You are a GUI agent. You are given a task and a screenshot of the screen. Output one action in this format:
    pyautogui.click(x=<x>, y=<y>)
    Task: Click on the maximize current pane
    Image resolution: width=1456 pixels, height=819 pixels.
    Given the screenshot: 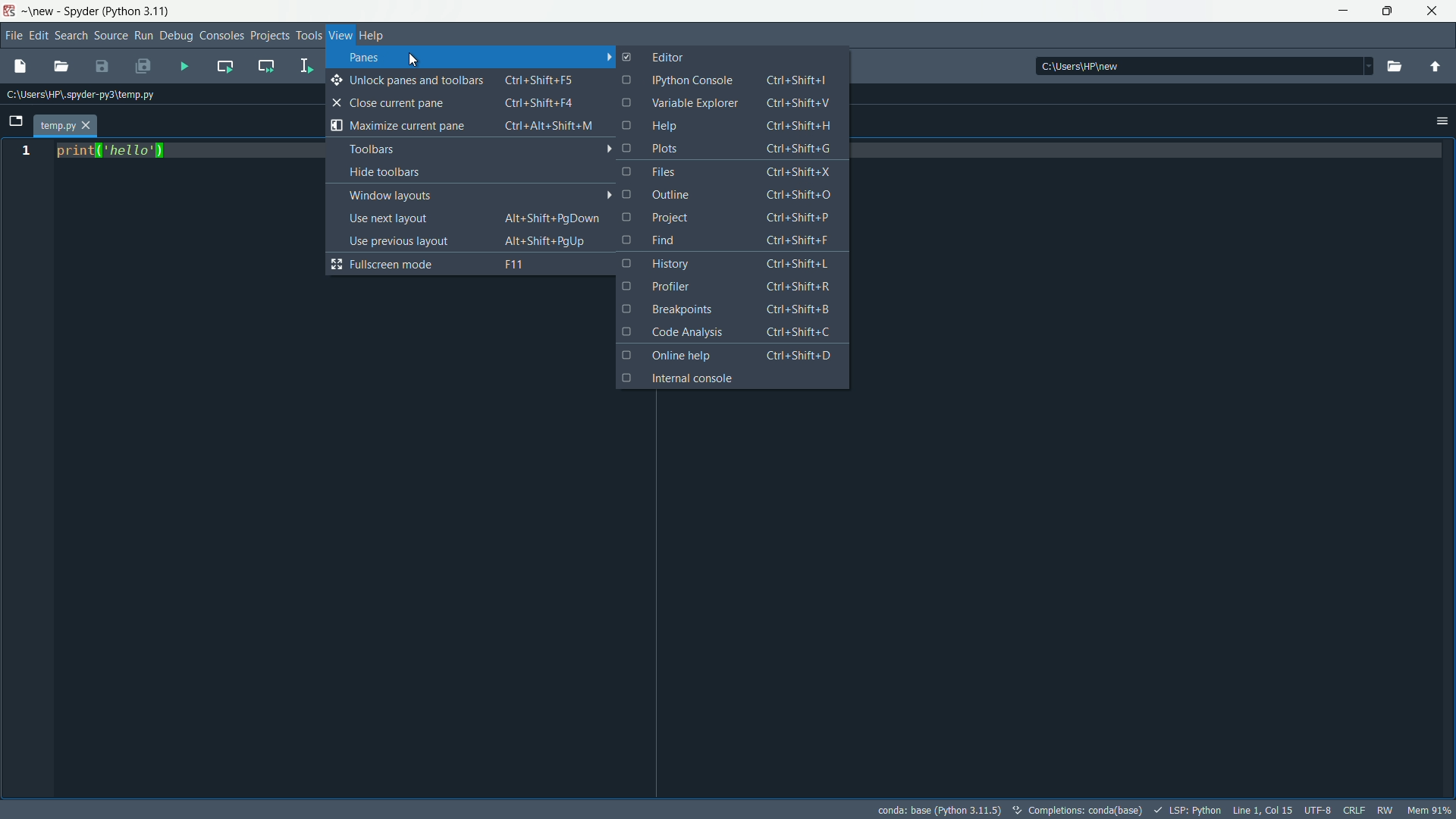 What is the action you would take?
    pyautogui.click(x=466, y=127)
    